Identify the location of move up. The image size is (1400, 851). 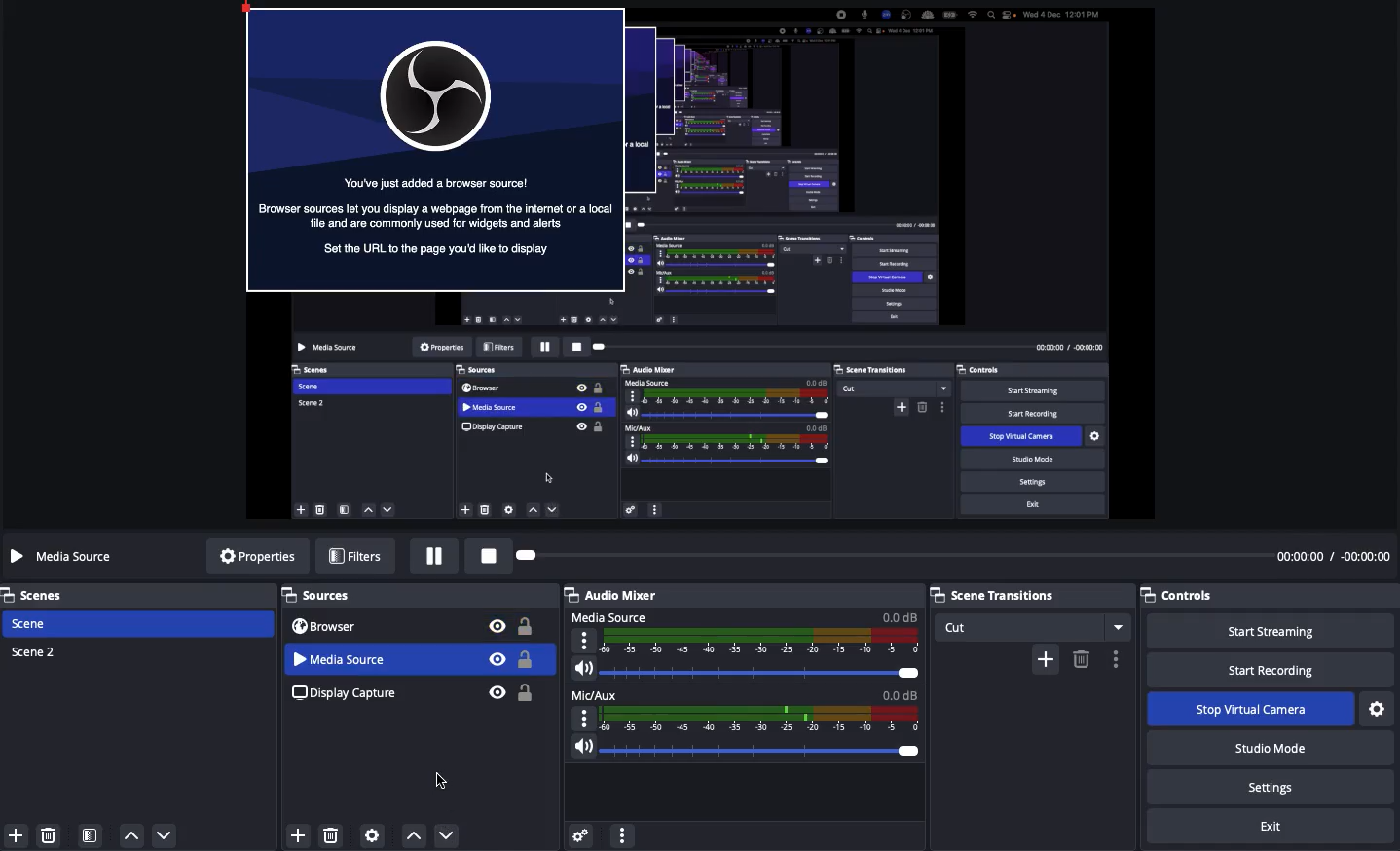
(133, 832).